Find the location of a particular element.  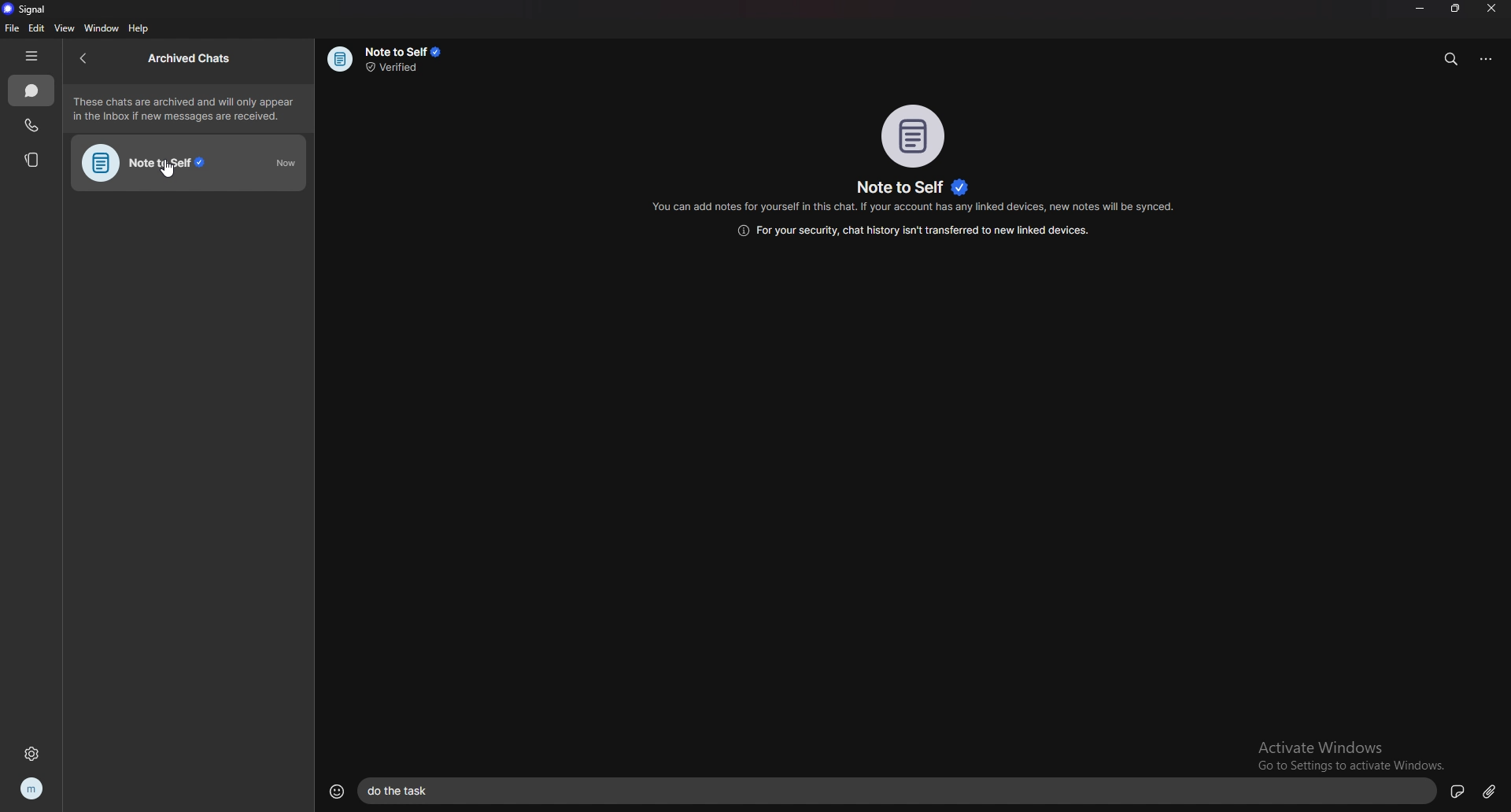

name is located at coordinates (918, 186).